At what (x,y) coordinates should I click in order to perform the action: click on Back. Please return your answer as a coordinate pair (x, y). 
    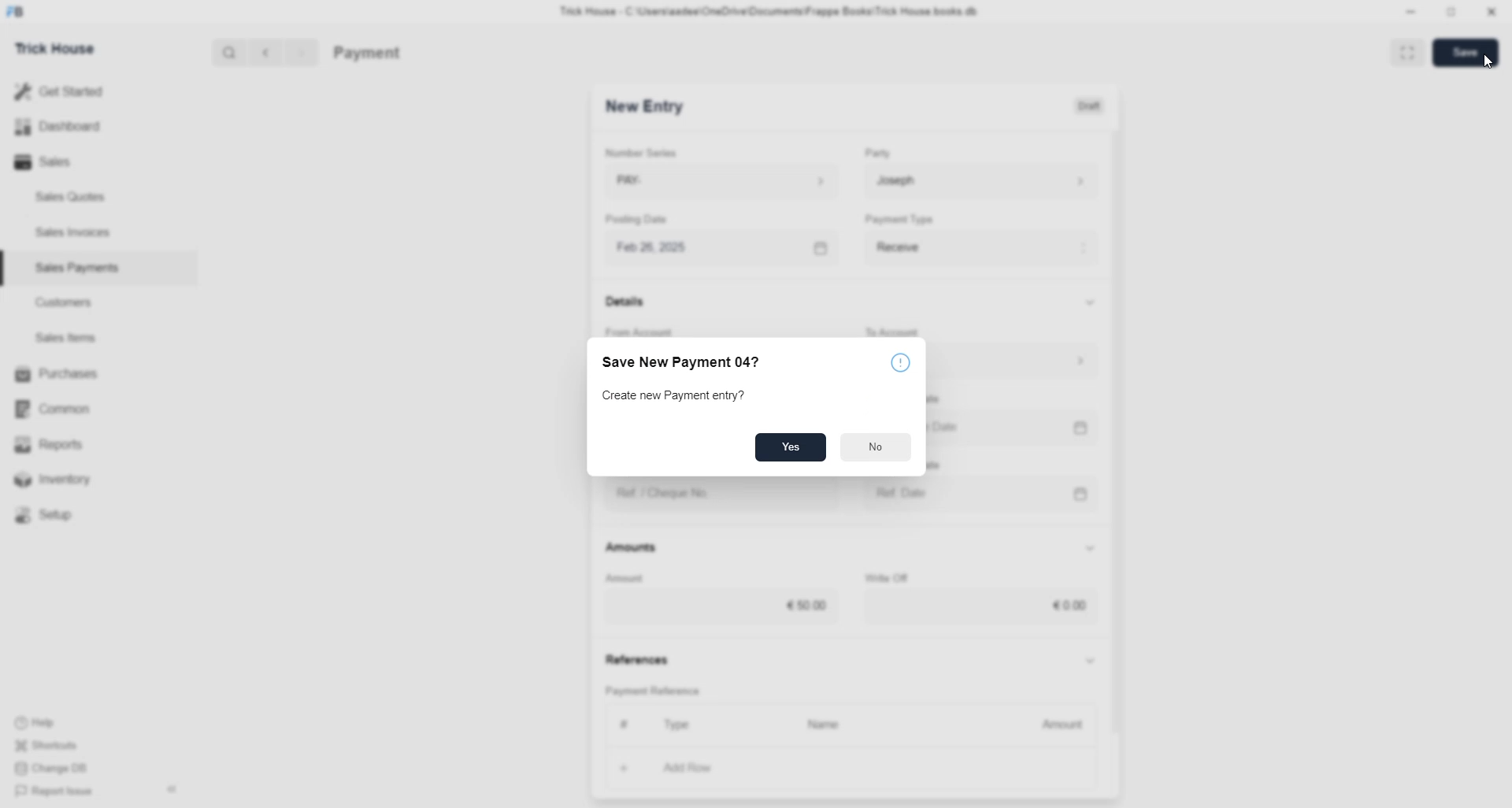
    Looking at the image, I should click on (266, 54).